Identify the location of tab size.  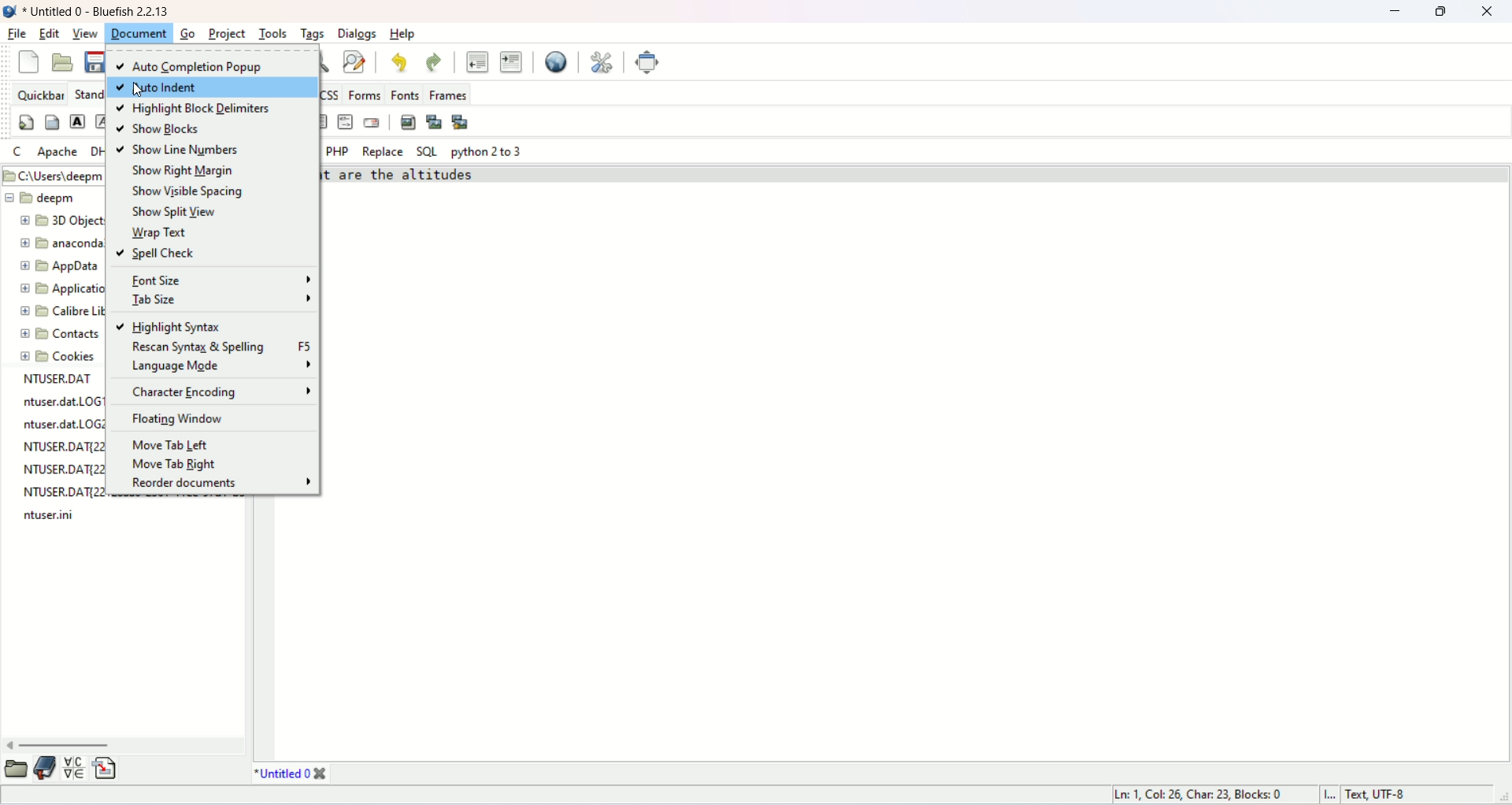
(220, 299).